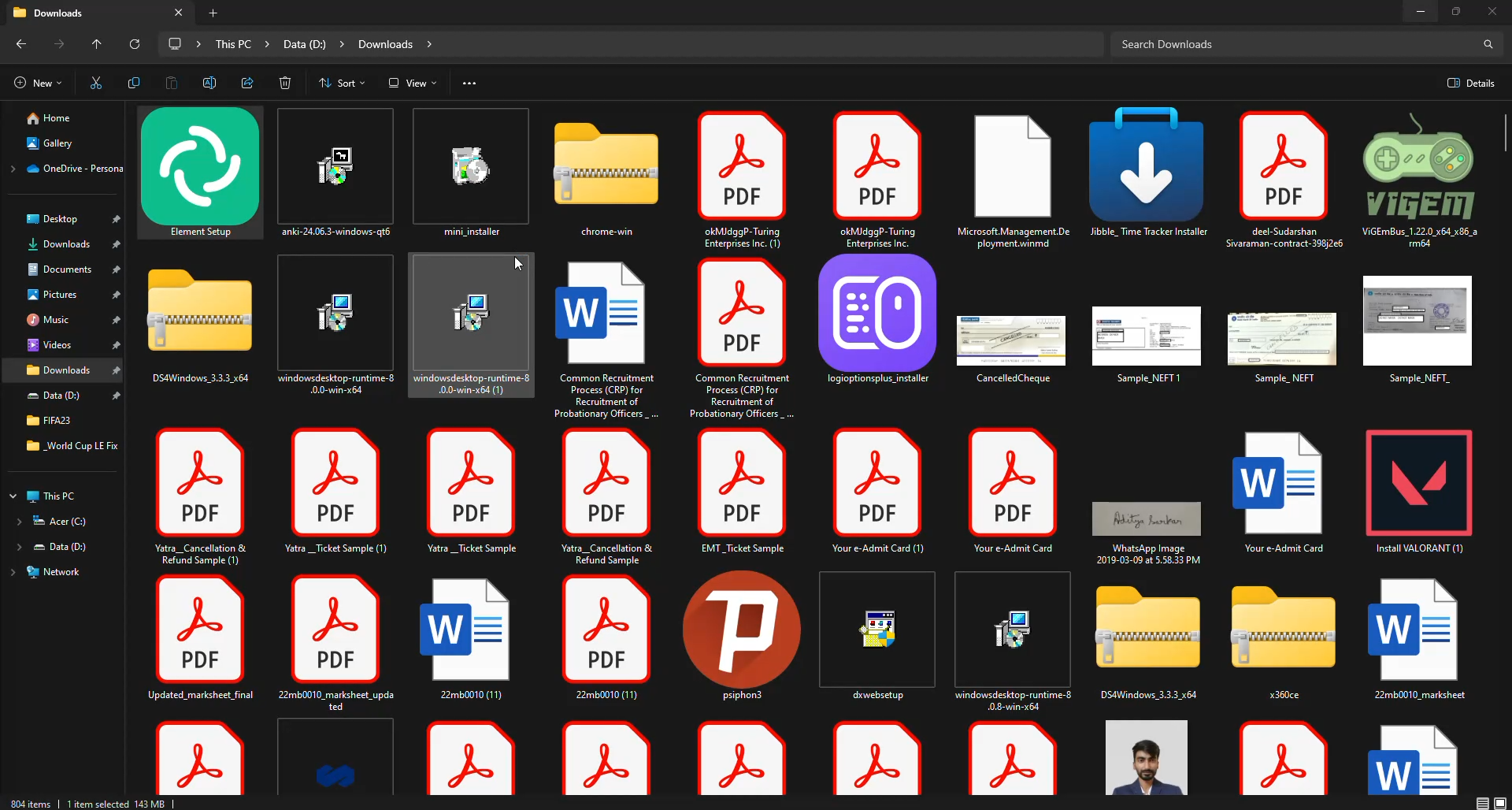  What do you see at coordinates (611, 177) in the screenshot?
I see `folder` at bounding box center [611, 177].